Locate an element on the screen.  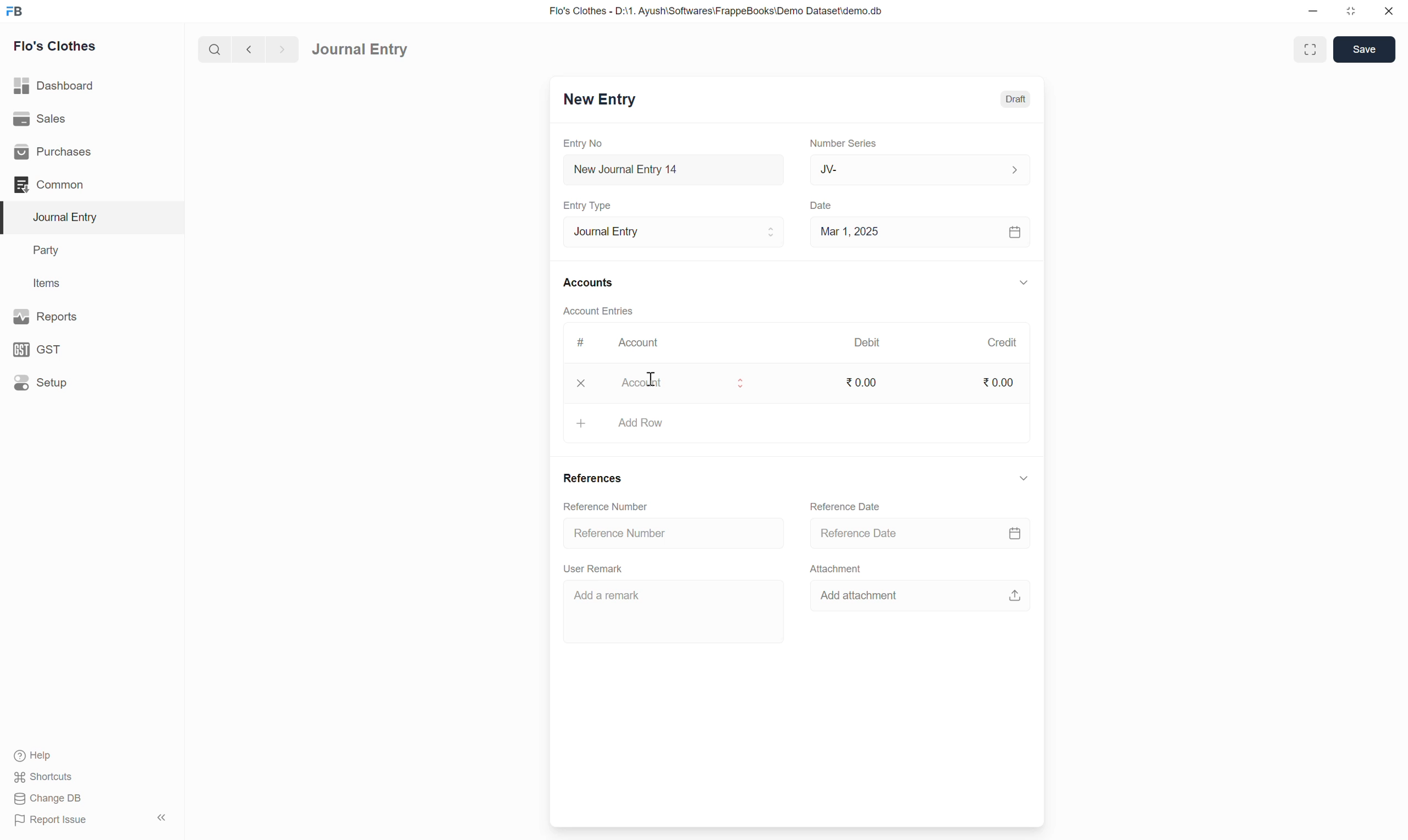
Attachment is located at coordinates (837, 568).